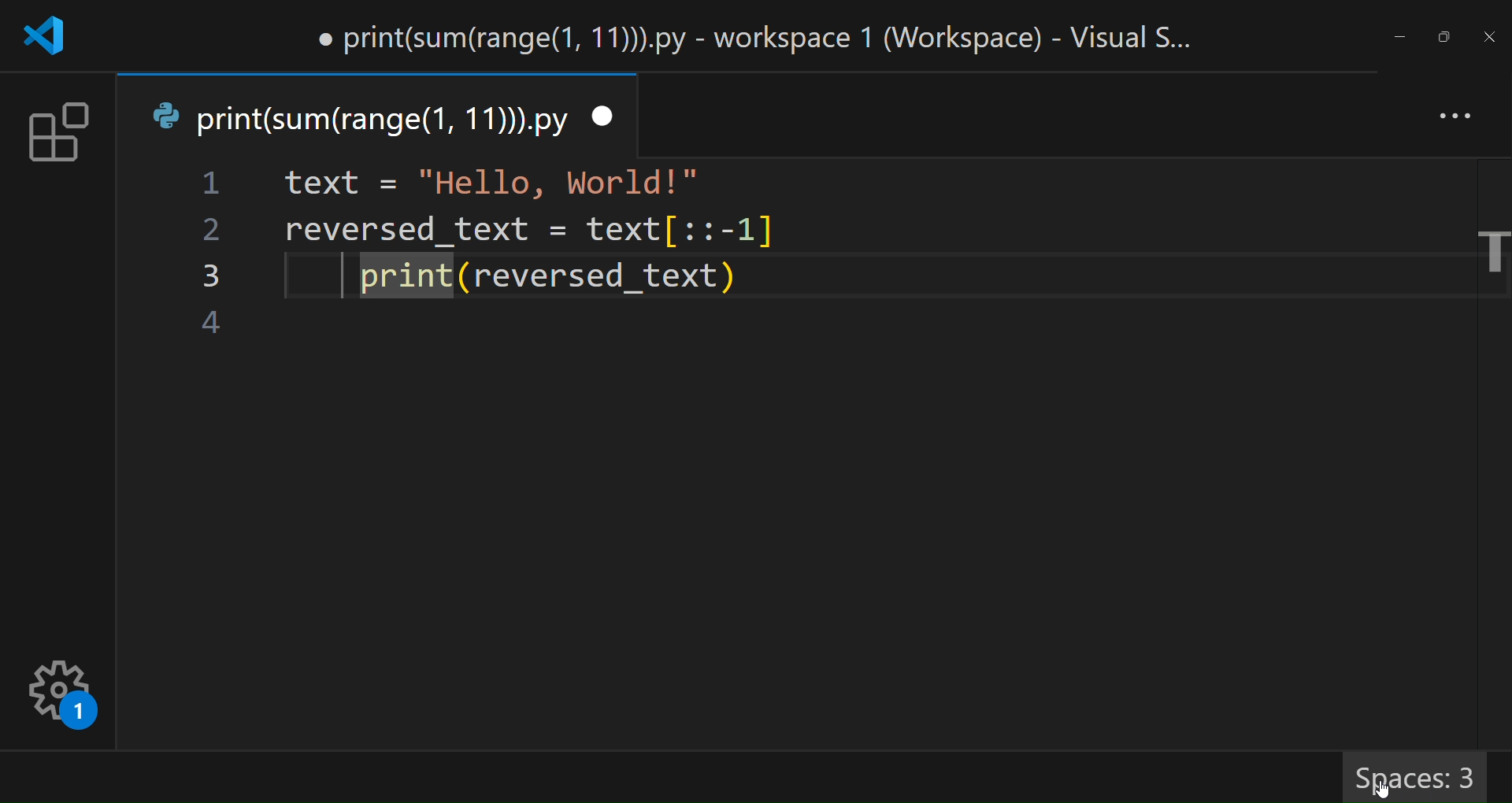 The width and height of the screenshot is (1512, 803). What do you see at coordinates (1366, 781) in the screenshot?
I see `cursor` at bounding box center [1366, 781].